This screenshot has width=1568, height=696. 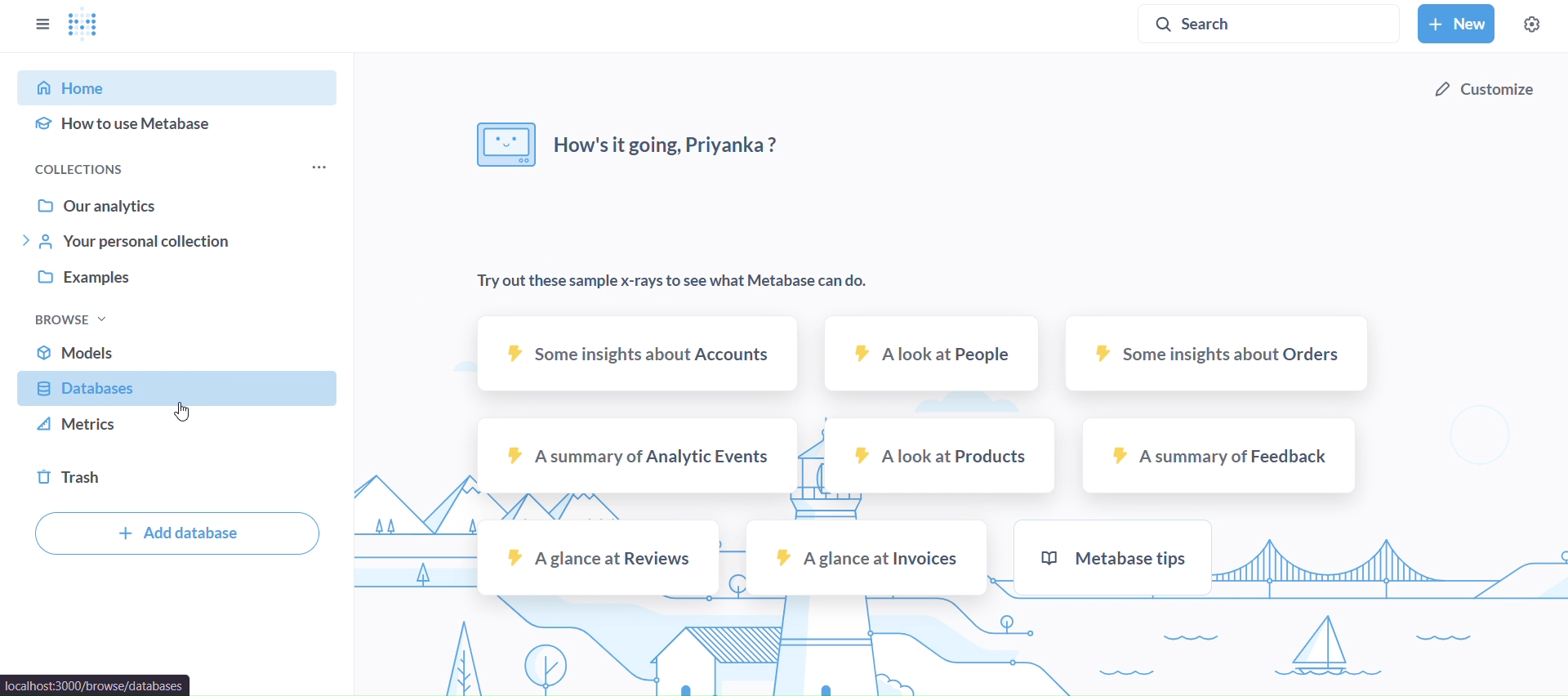 I want to click on a summary of feedback, so click(x=1218, y=456).